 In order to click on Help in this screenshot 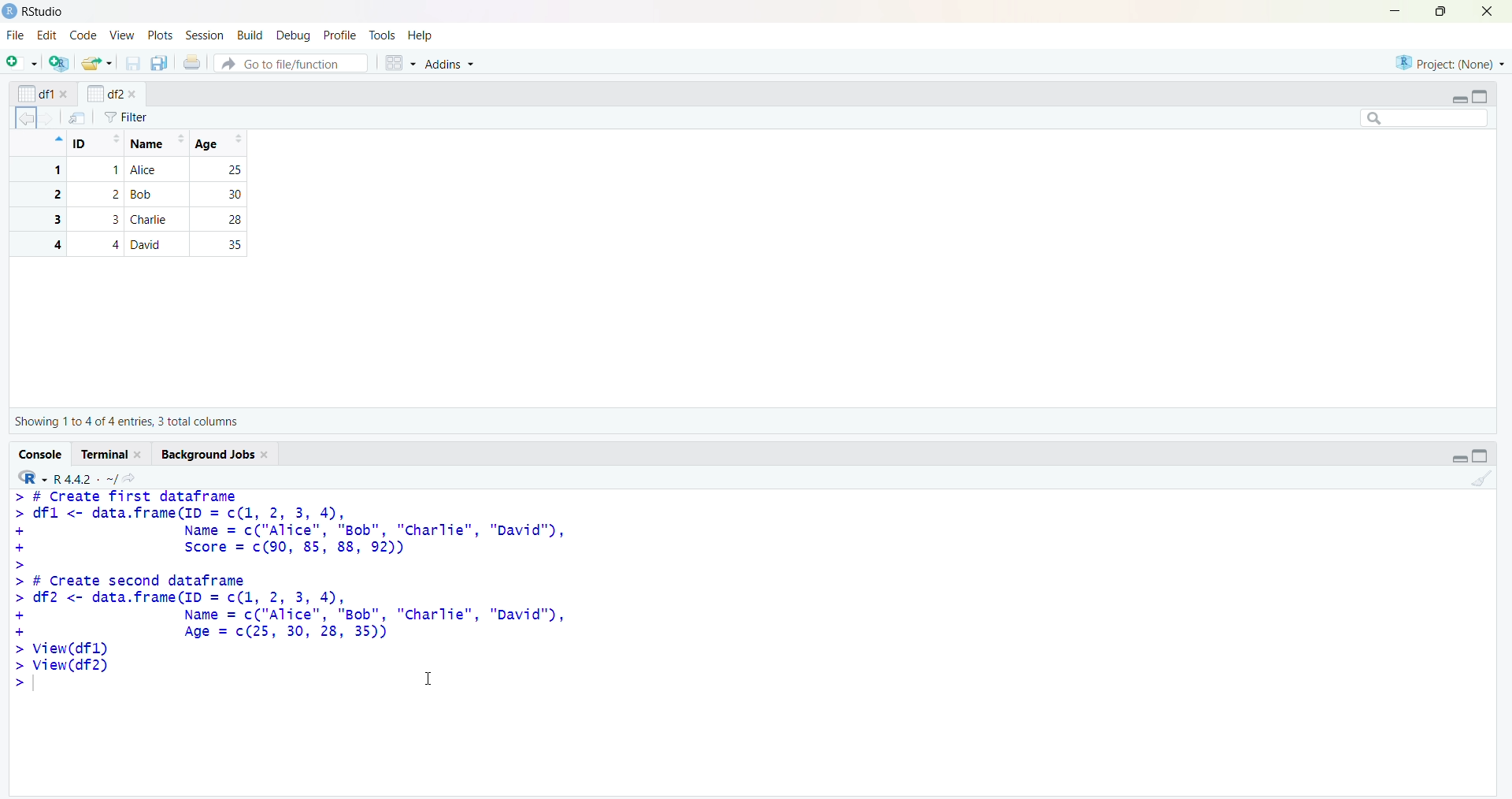, I will do `click(420, 35)`.